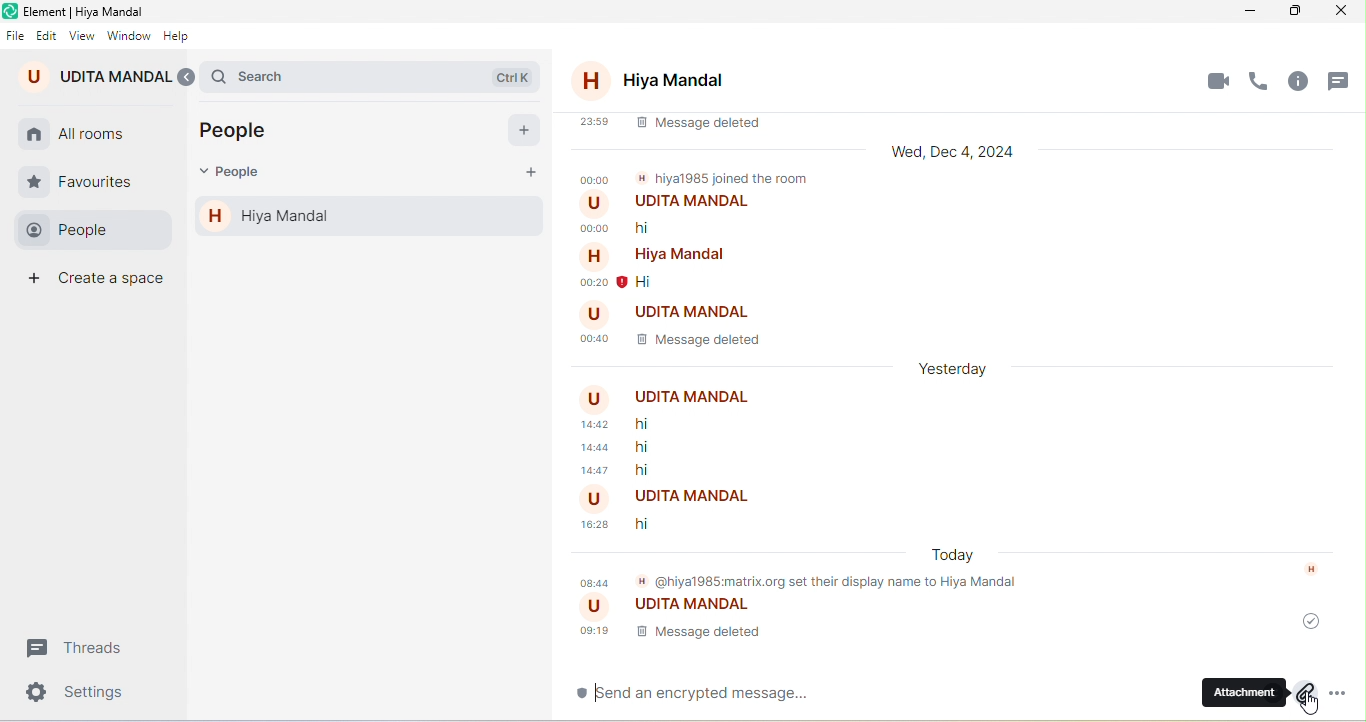  What do you see at coordinates (746, 178) in the screenshot?
I see `text` at bounding box center [746, 178].